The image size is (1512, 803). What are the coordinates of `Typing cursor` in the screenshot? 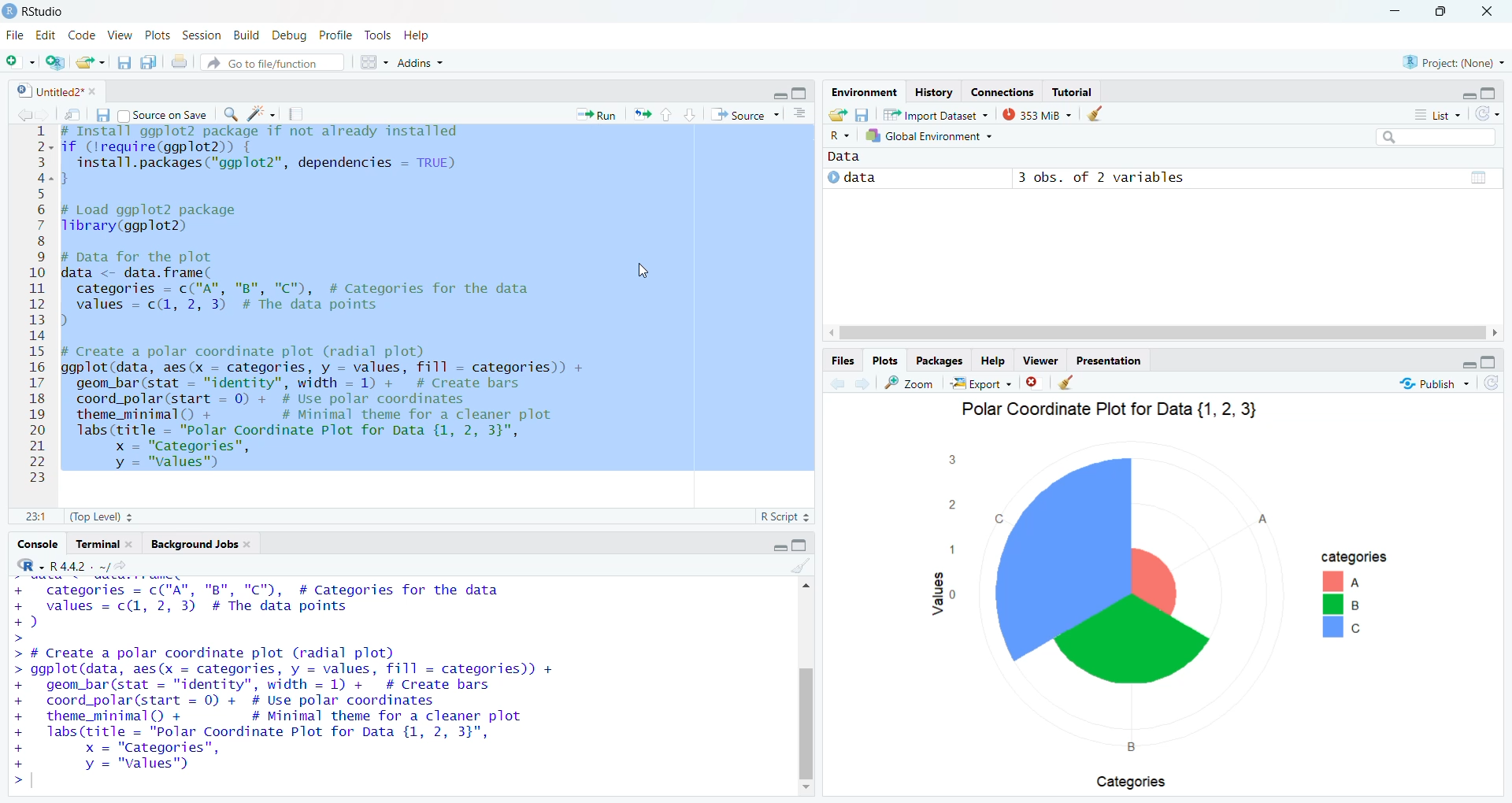 It's located at (74, 482).